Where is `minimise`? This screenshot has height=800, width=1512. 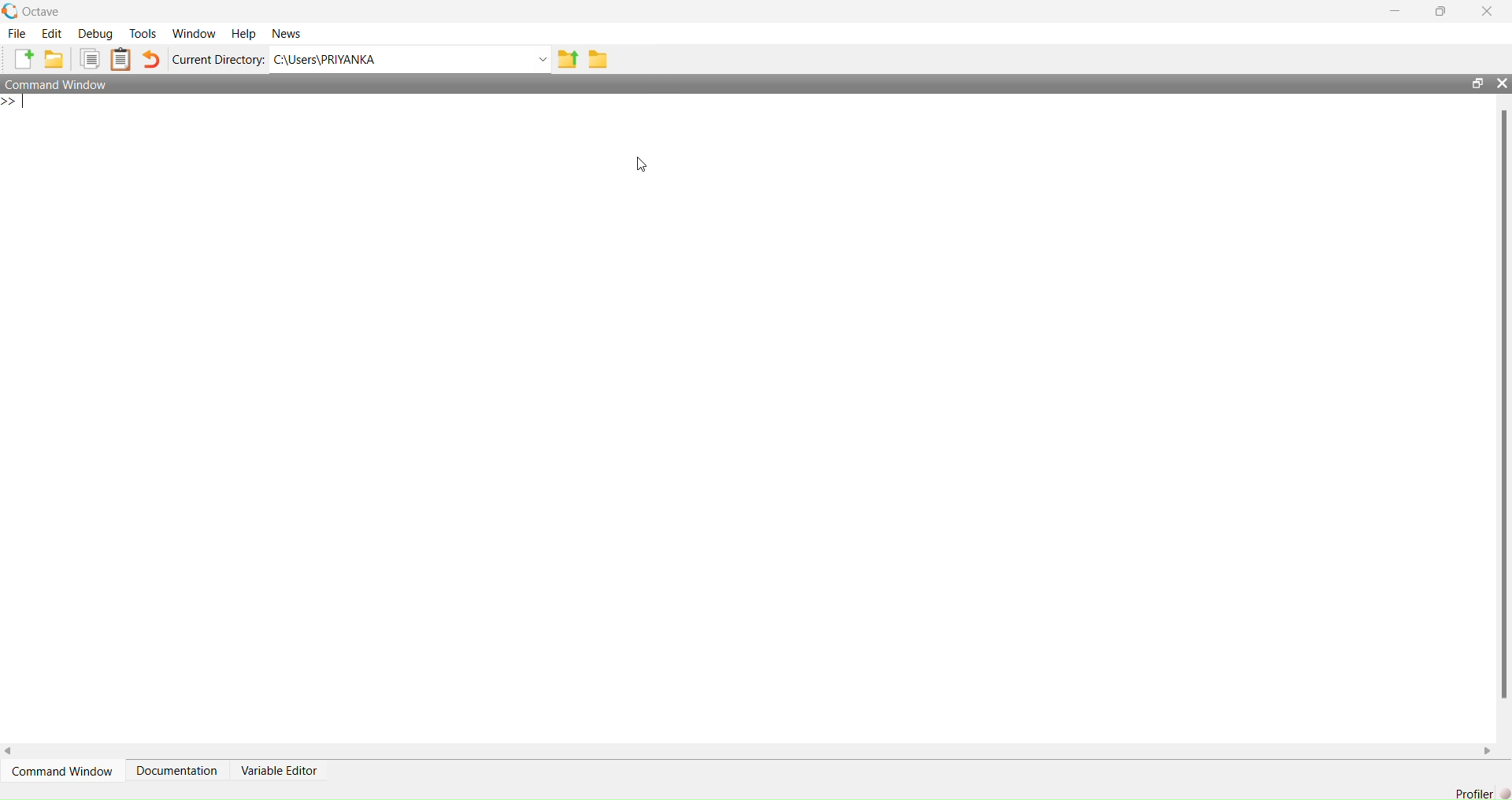 minimise is located at coordinates (1397, 9).